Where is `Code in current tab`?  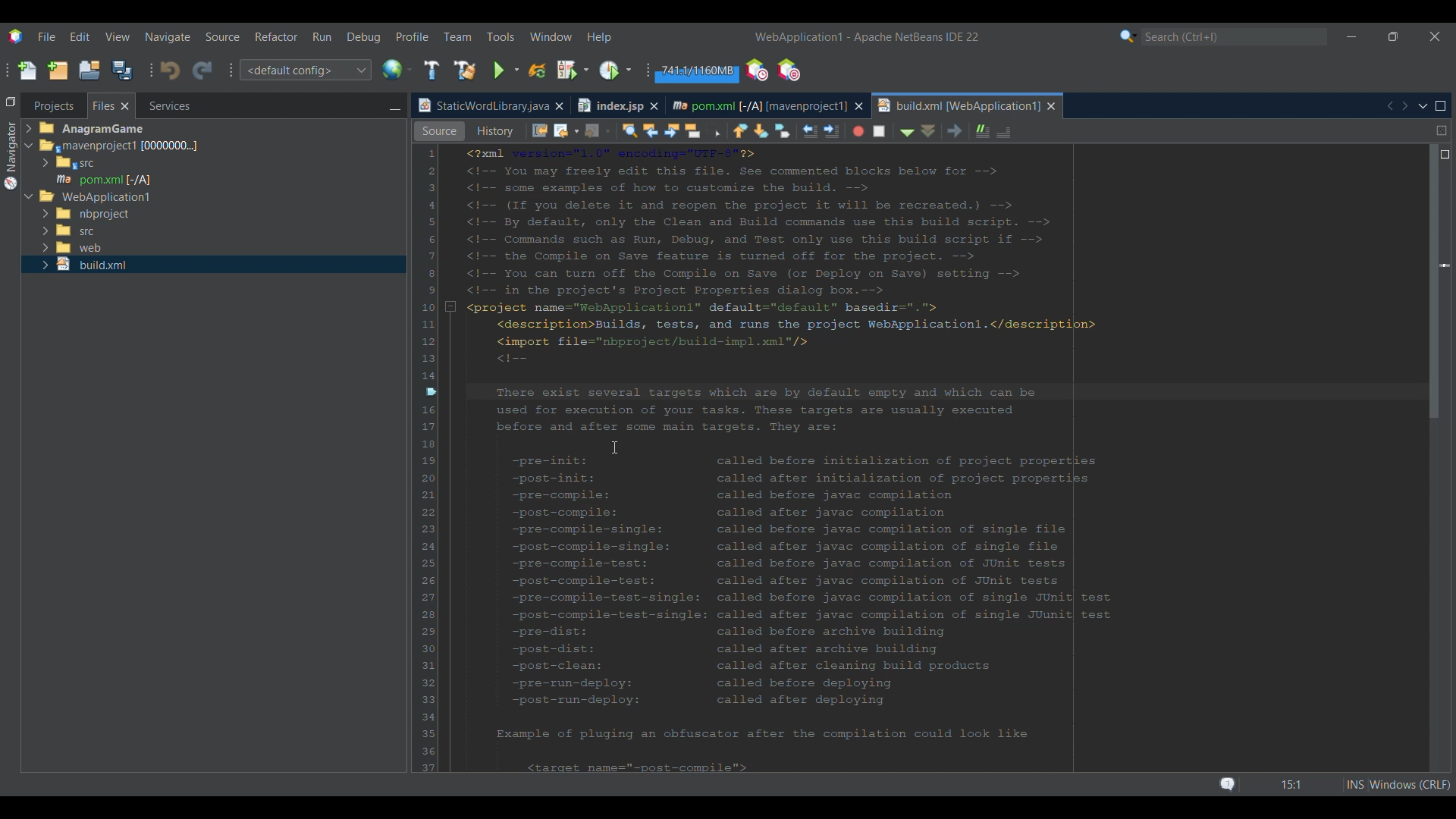 Code in current tab is located at coordinates (934, 457).